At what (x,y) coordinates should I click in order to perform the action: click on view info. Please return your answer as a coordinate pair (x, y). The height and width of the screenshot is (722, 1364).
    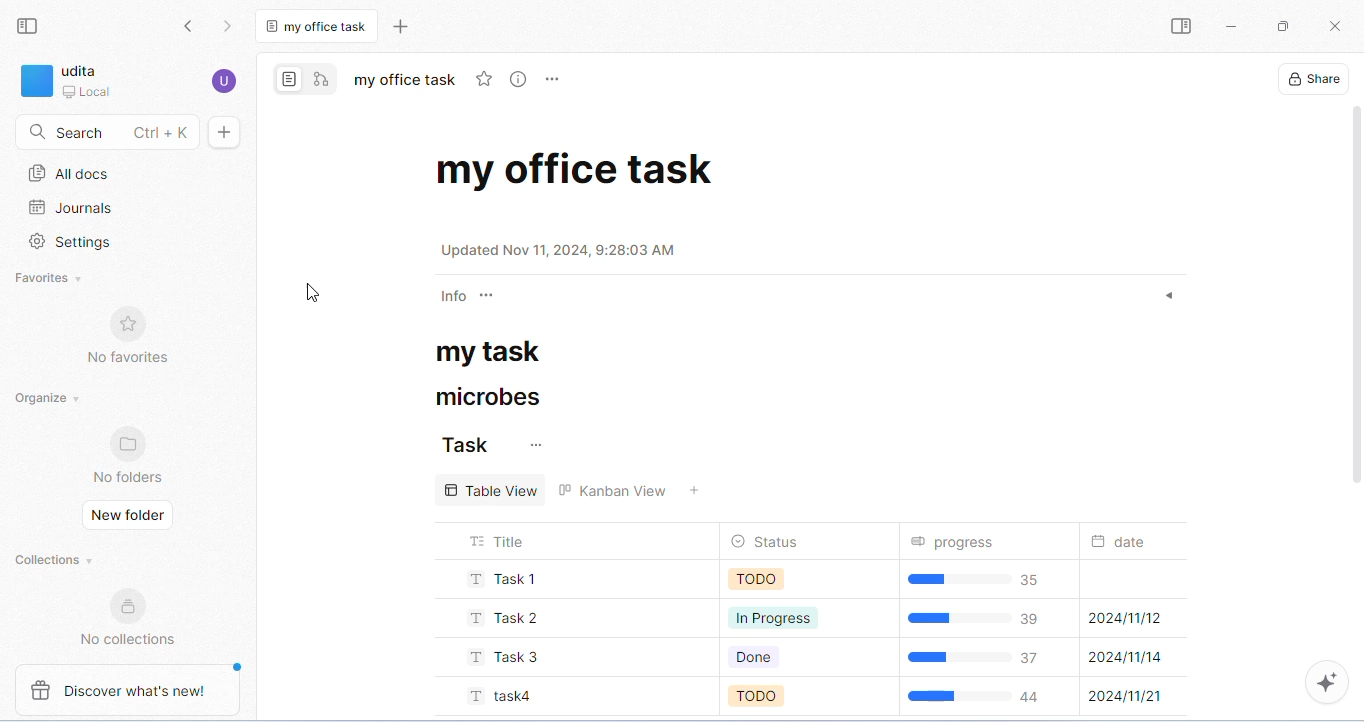
    Looking at the image, I should click on (521, 79).